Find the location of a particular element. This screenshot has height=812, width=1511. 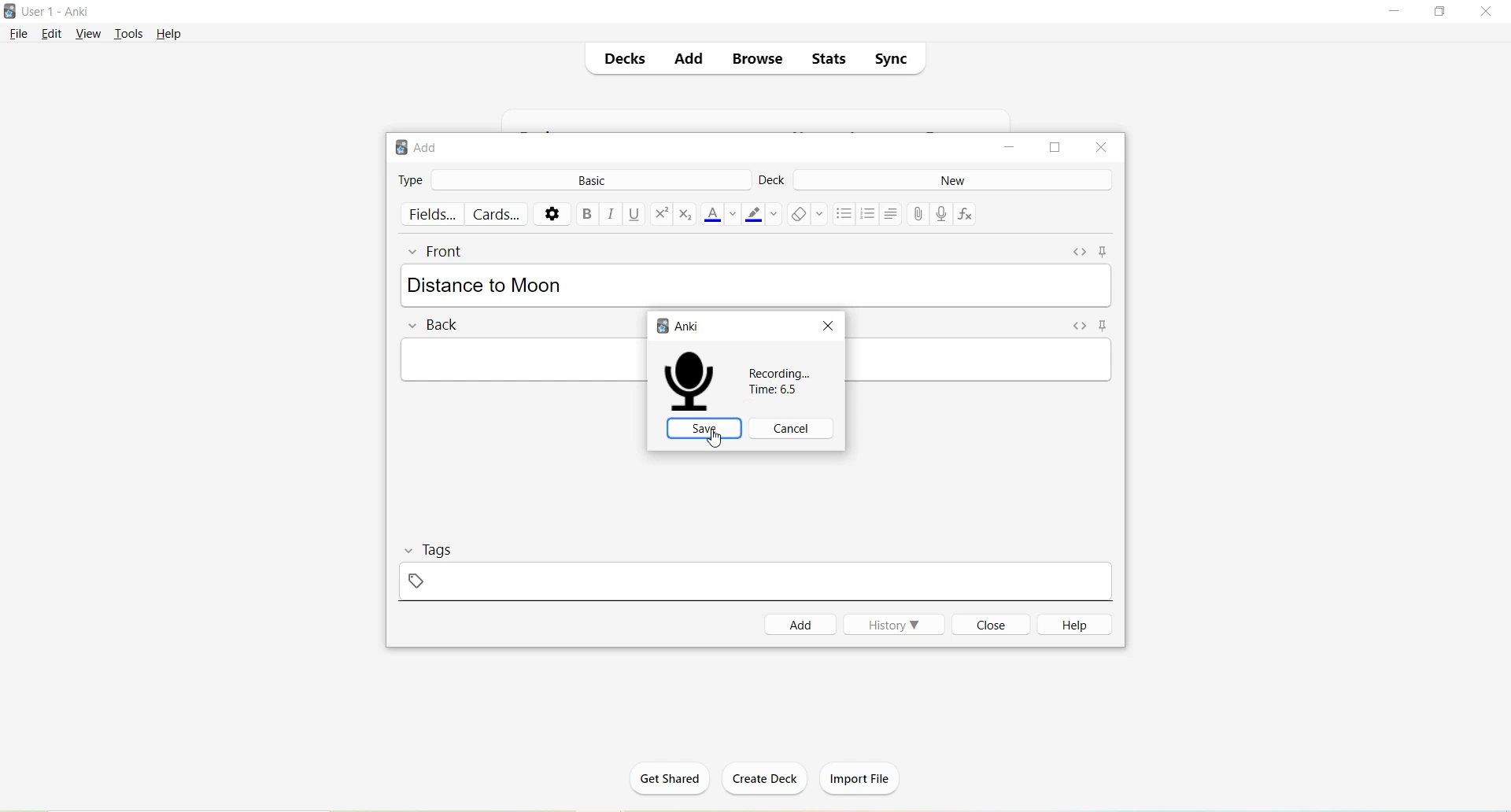

Sync is located at coordinates (890, 56).